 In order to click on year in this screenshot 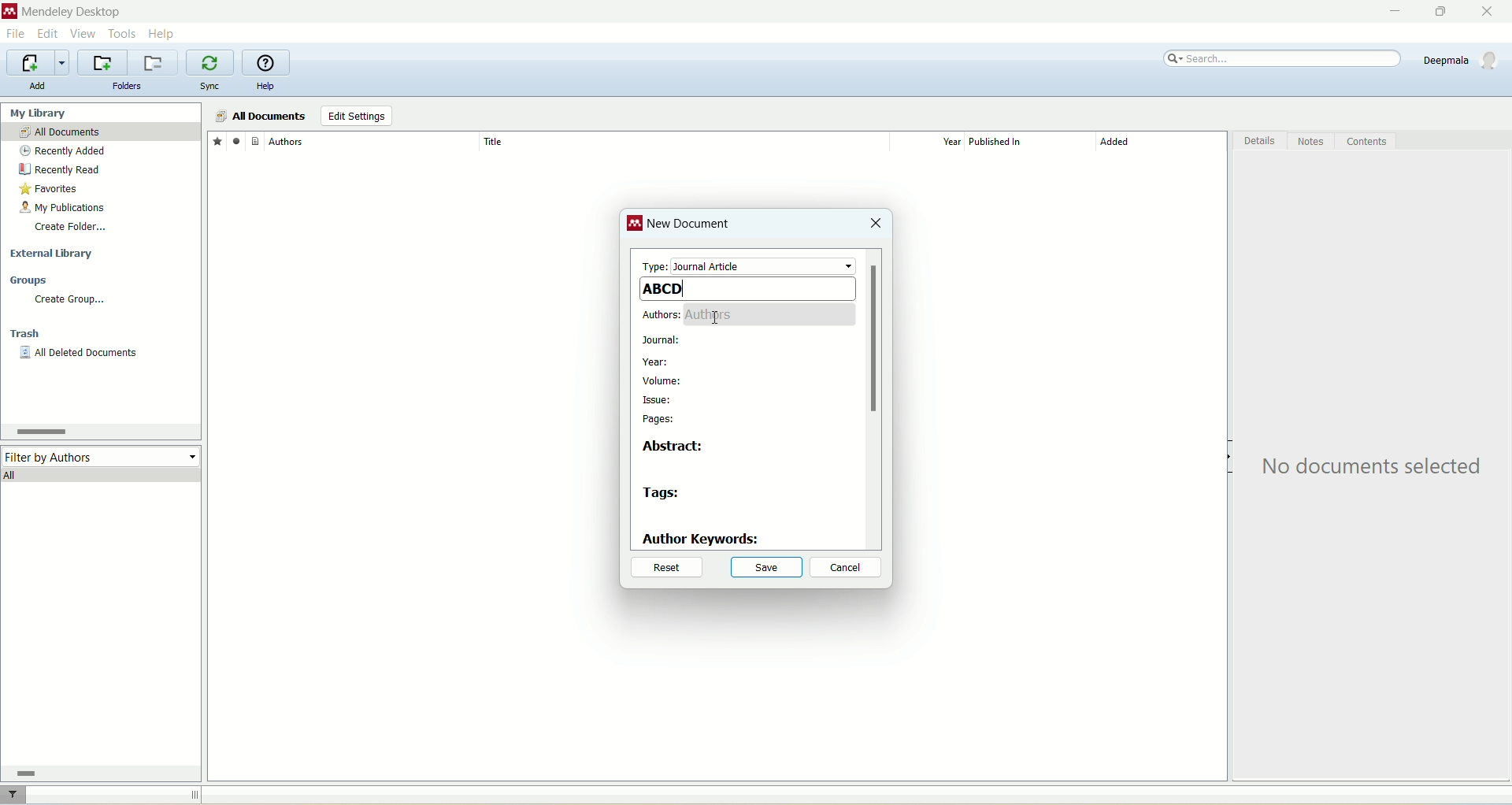, I will do `click(932, 142)`.